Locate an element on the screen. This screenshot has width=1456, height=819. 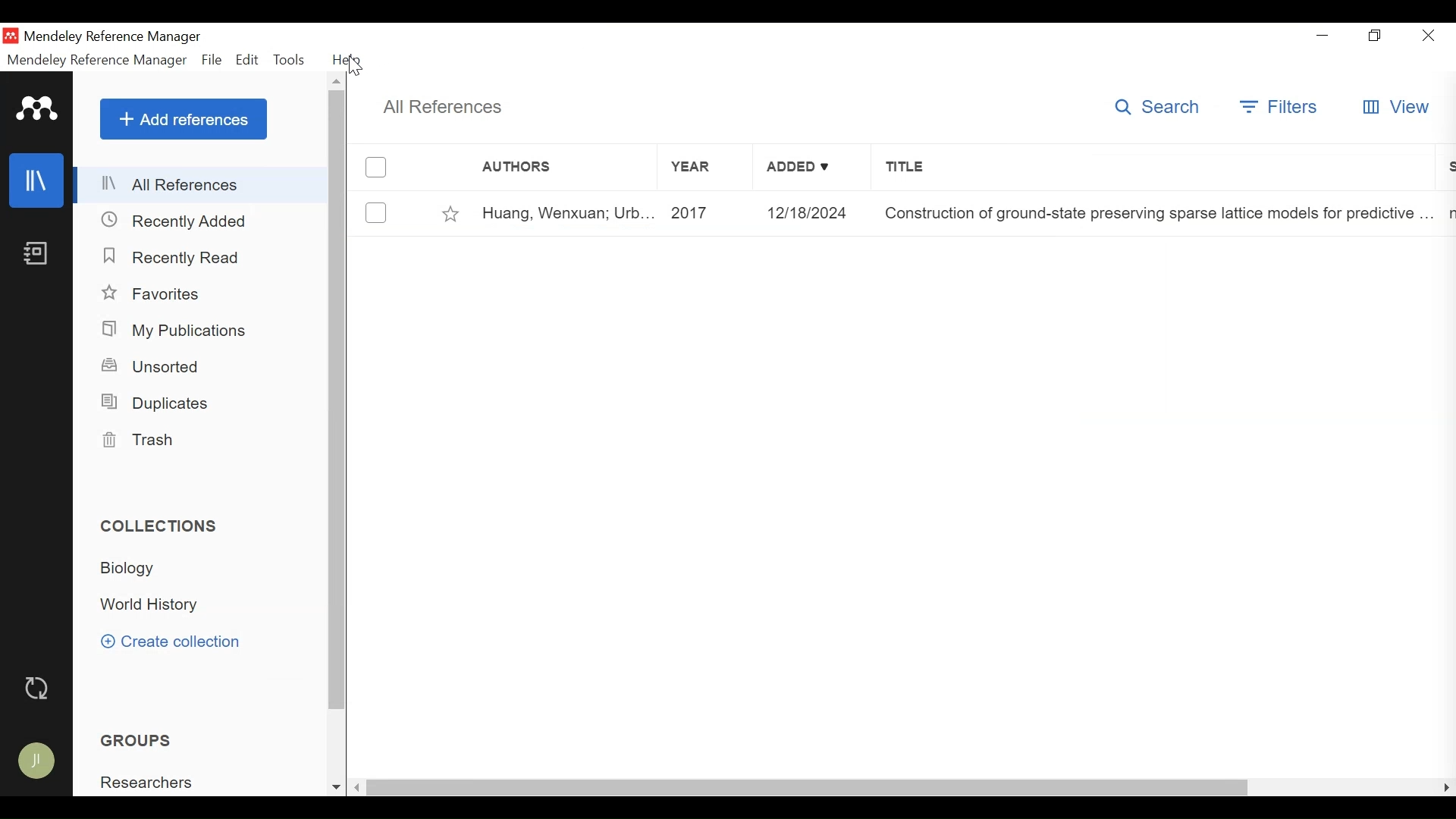
My Publications is located at coordinates (172, 330).